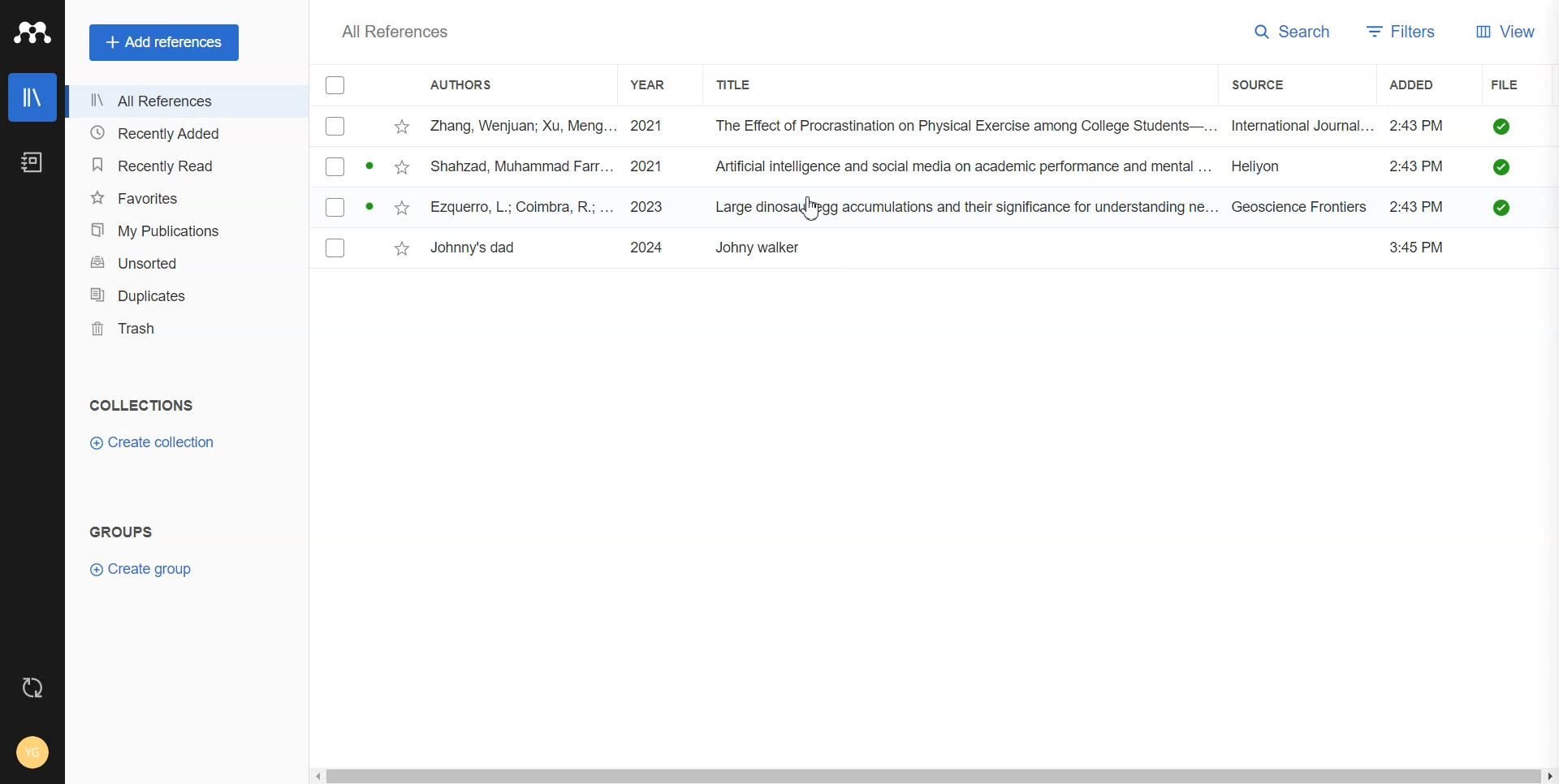 The width and height of the screenshot is (1559, 784). What do you see at coordinates (488, 248) in the screenshot?
I see `Johnny's dad` at bounding box center [488, 248].